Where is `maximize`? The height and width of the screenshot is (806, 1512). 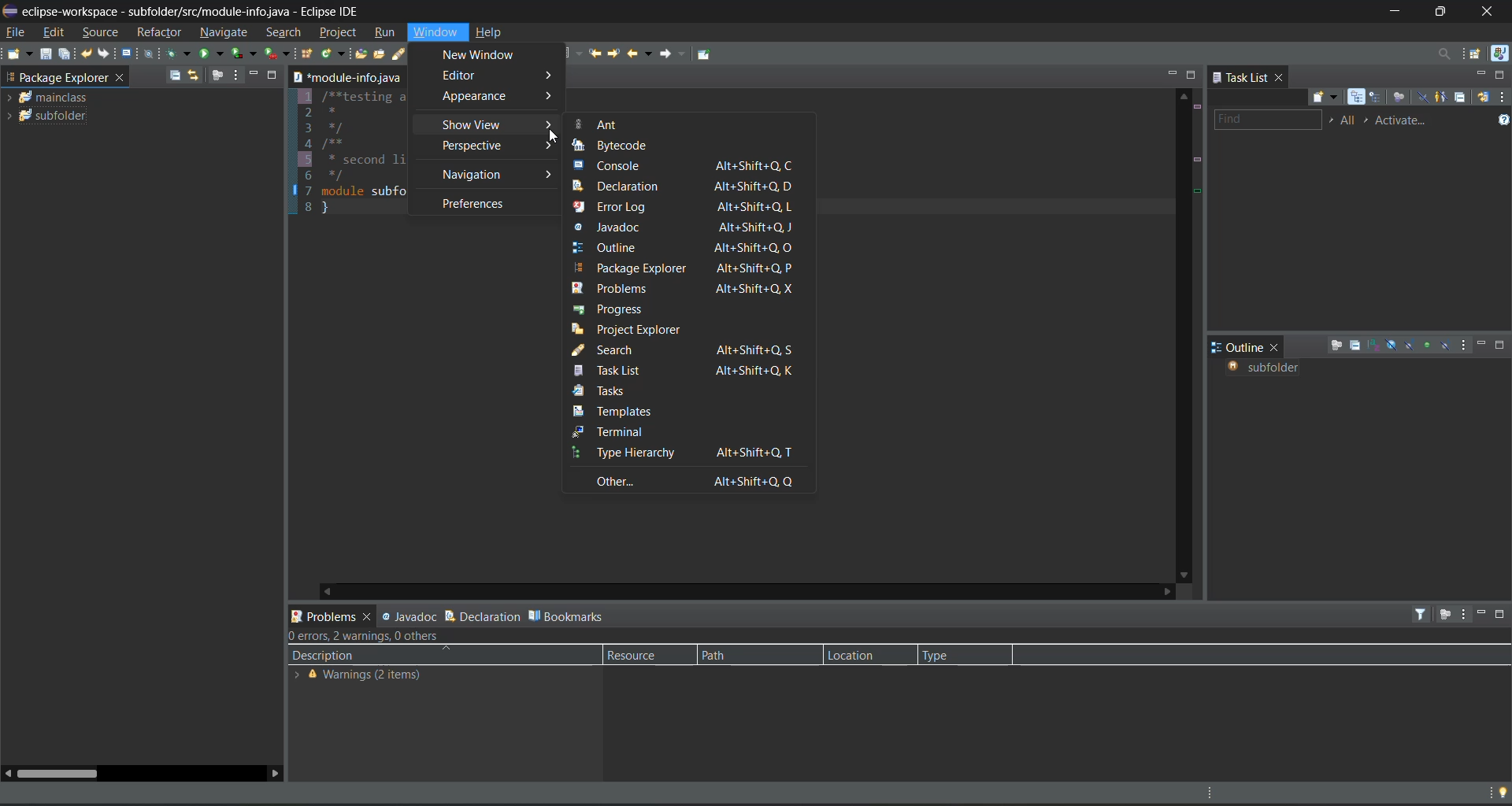 maximize is located at coordinates (1503, 346).